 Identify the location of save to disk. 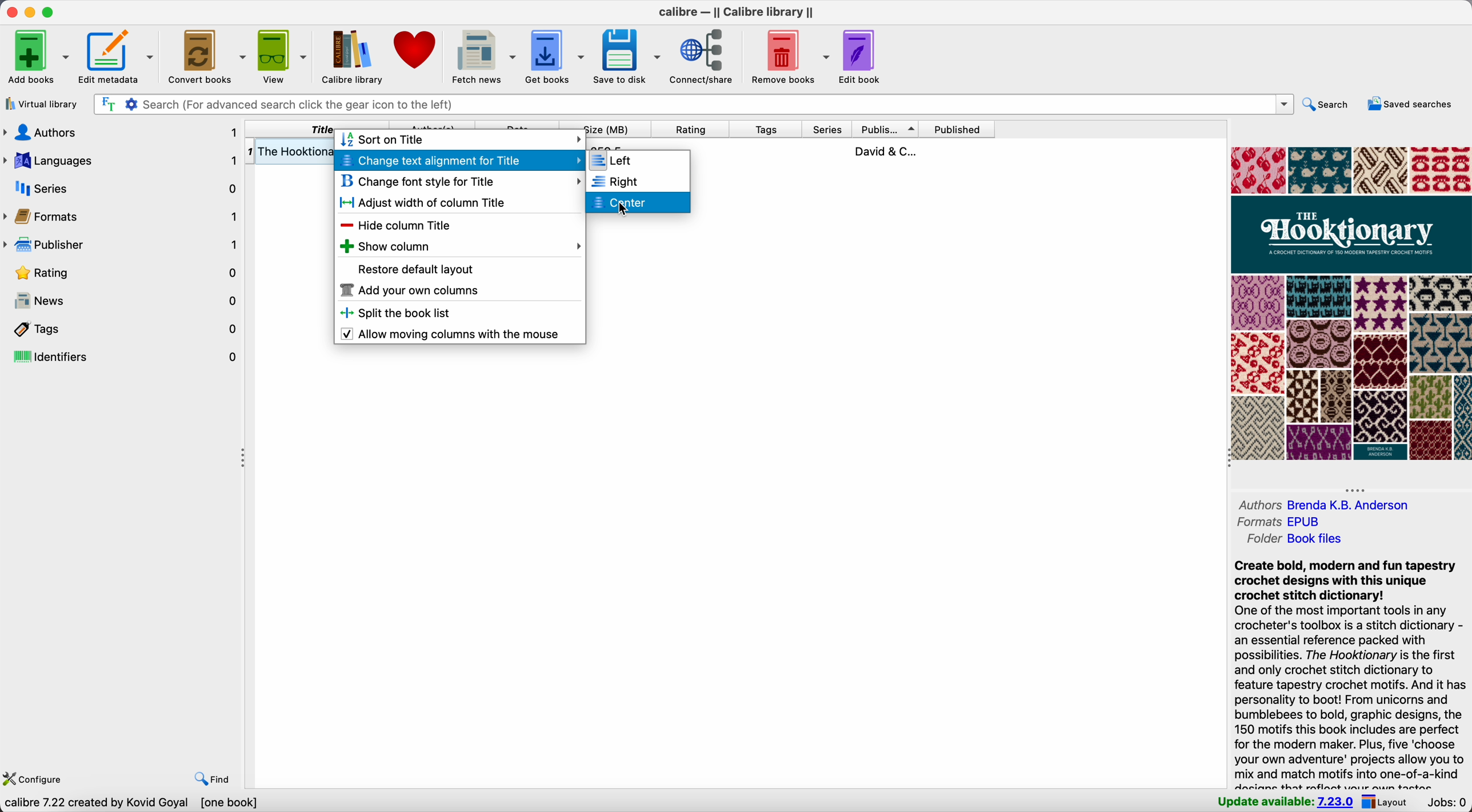
(627, 58).